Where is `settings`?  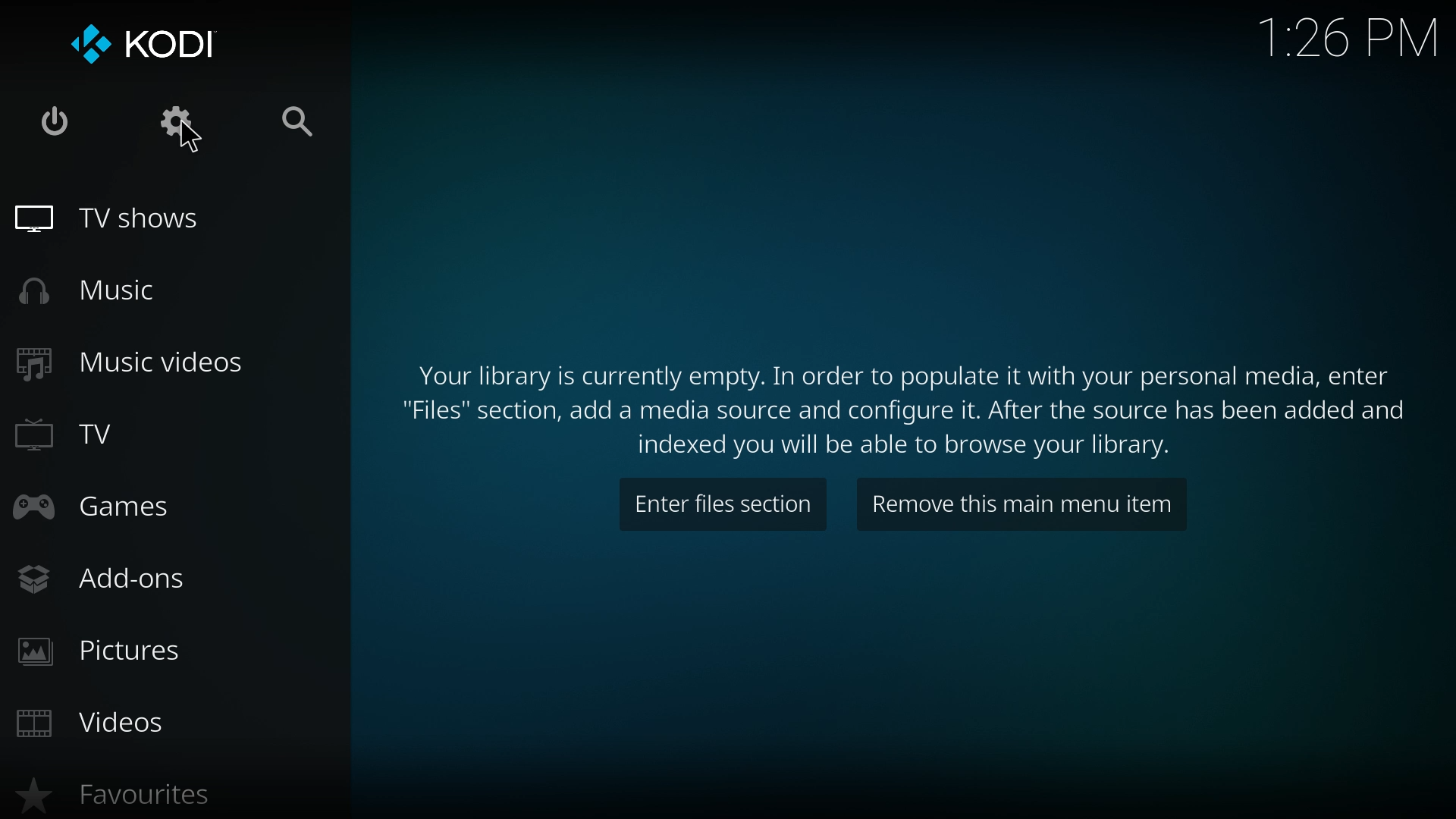
settings is located at coordinates (177, 117).